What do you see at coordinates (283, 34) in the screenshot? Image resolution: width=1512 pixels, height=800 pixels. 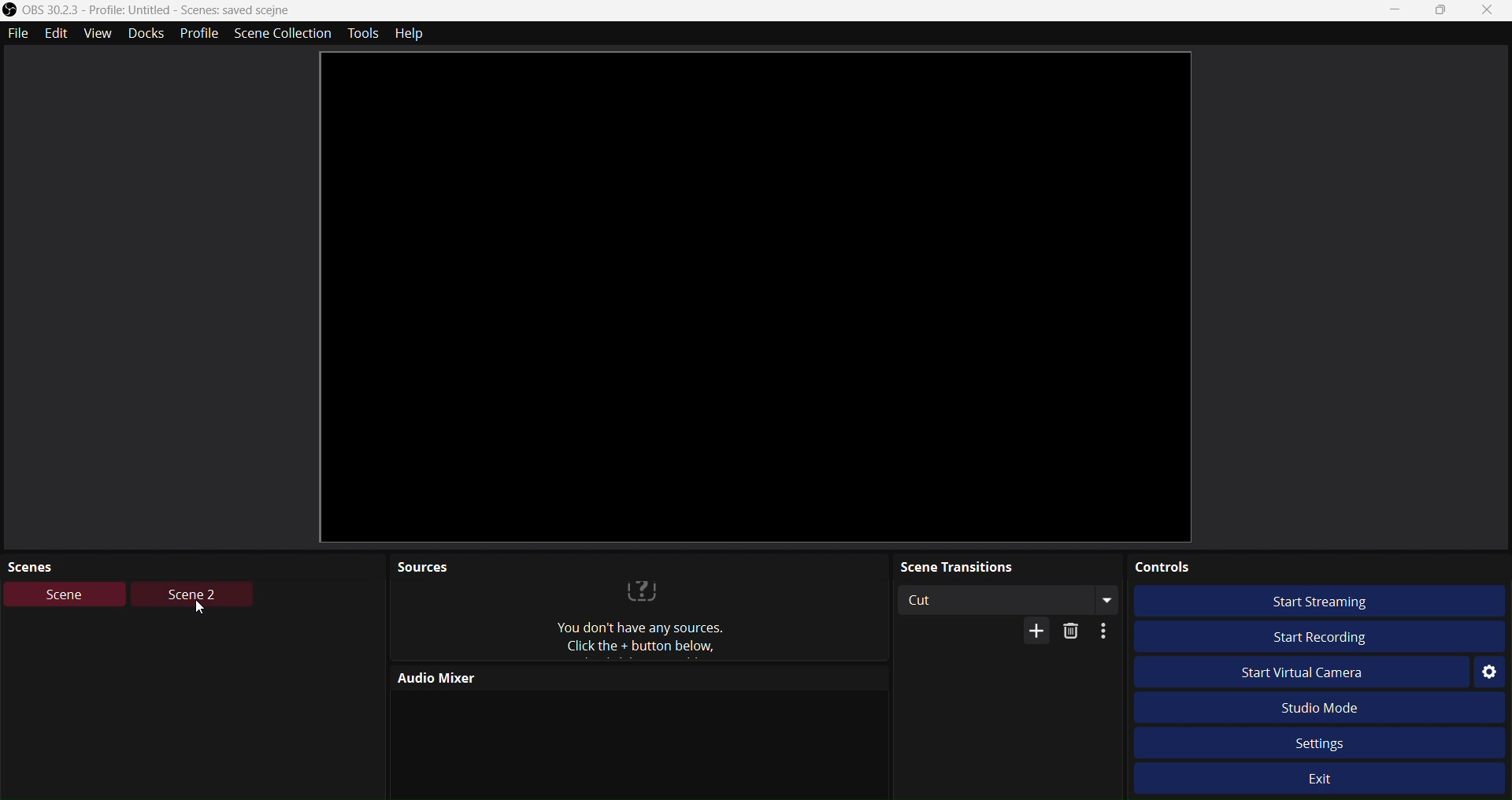 I see `Scene Collection` at bounding box center [283, 34].